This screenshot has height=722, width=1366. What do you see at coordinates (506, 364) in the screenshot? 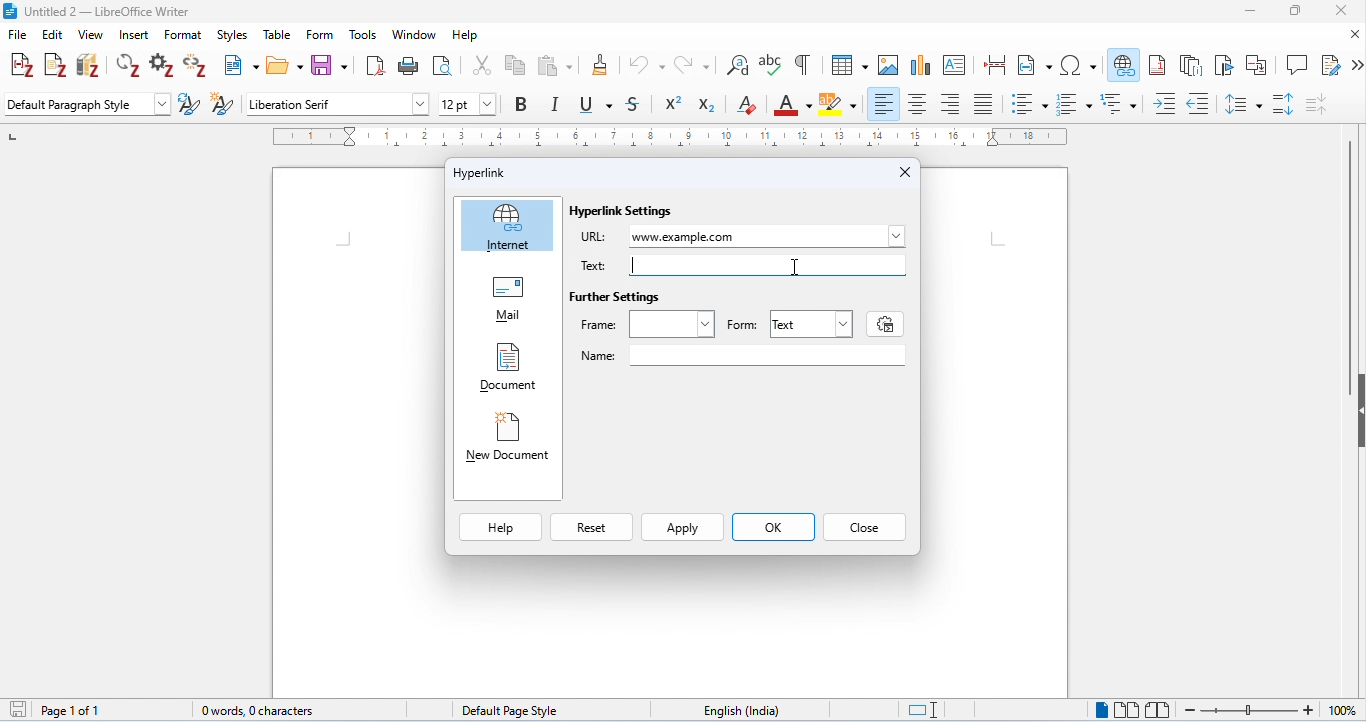
I see `Document` at bounding box center [506, 364].